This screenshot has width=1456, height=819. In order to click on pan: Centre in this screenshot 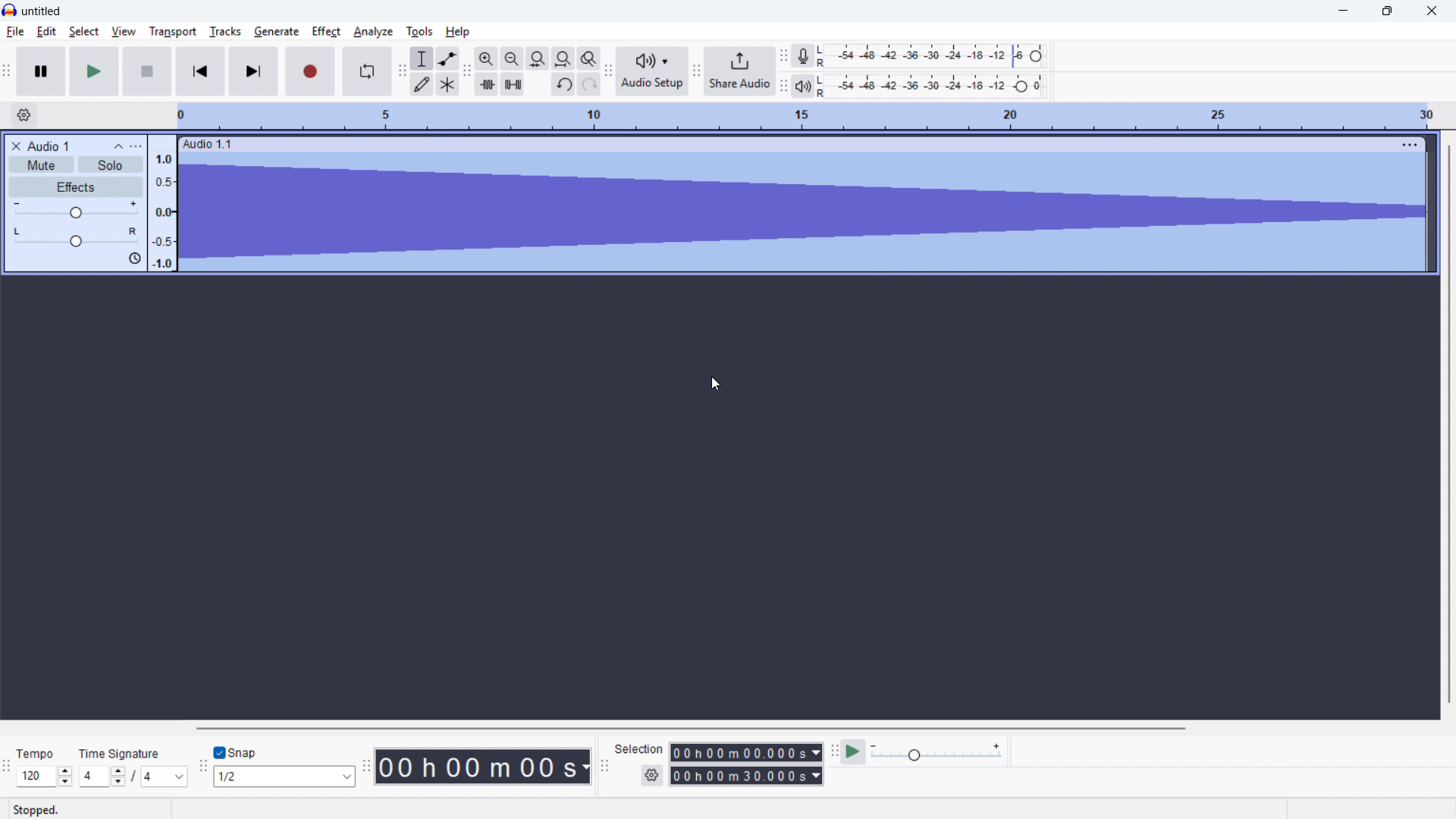, I will do `click(78, 237)`.